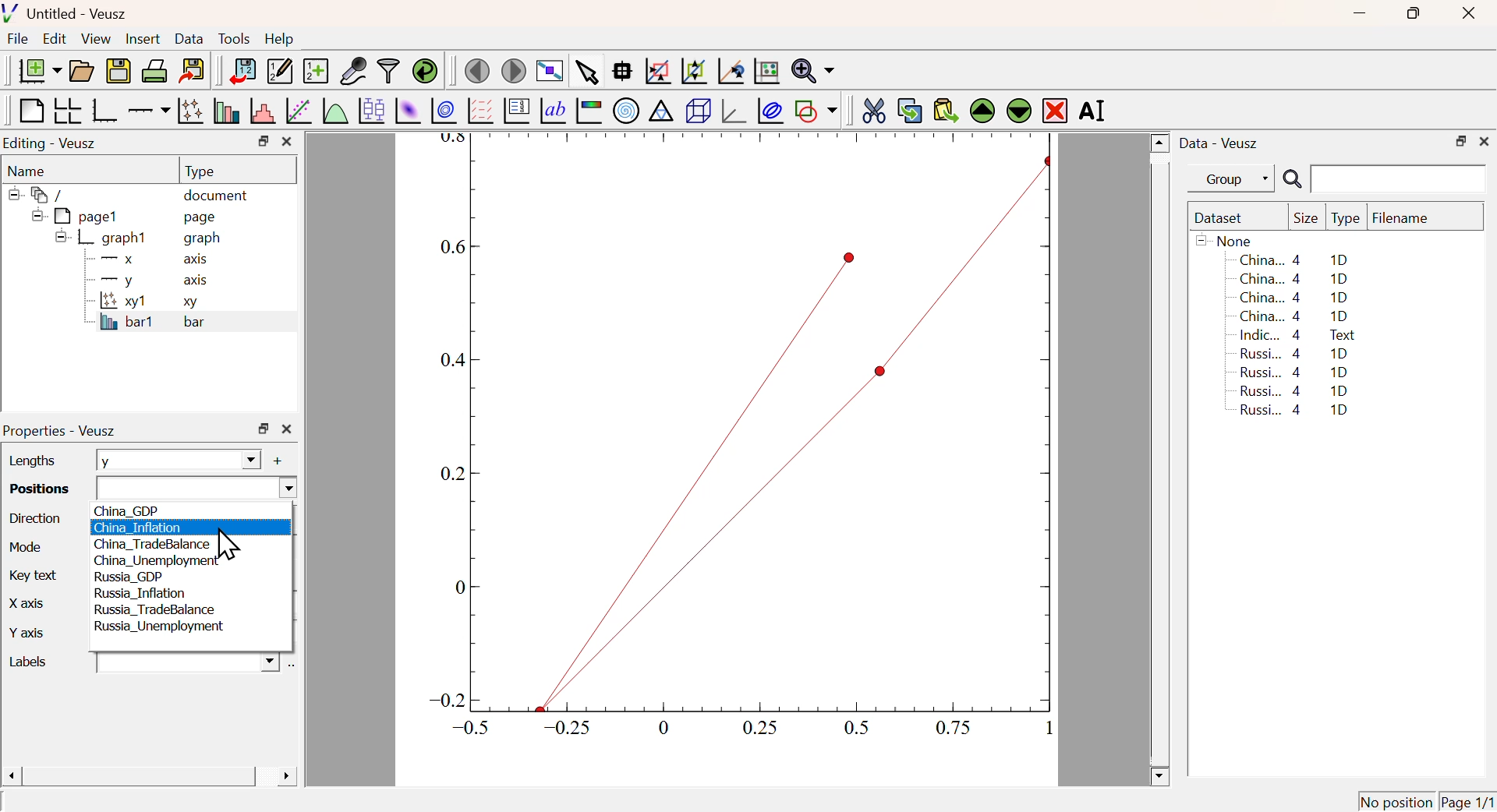 The image size is (1497, 812). Describe the element at coordinates (66, 110) in the screenshot. I see `Arrange graph in grid` at that location.